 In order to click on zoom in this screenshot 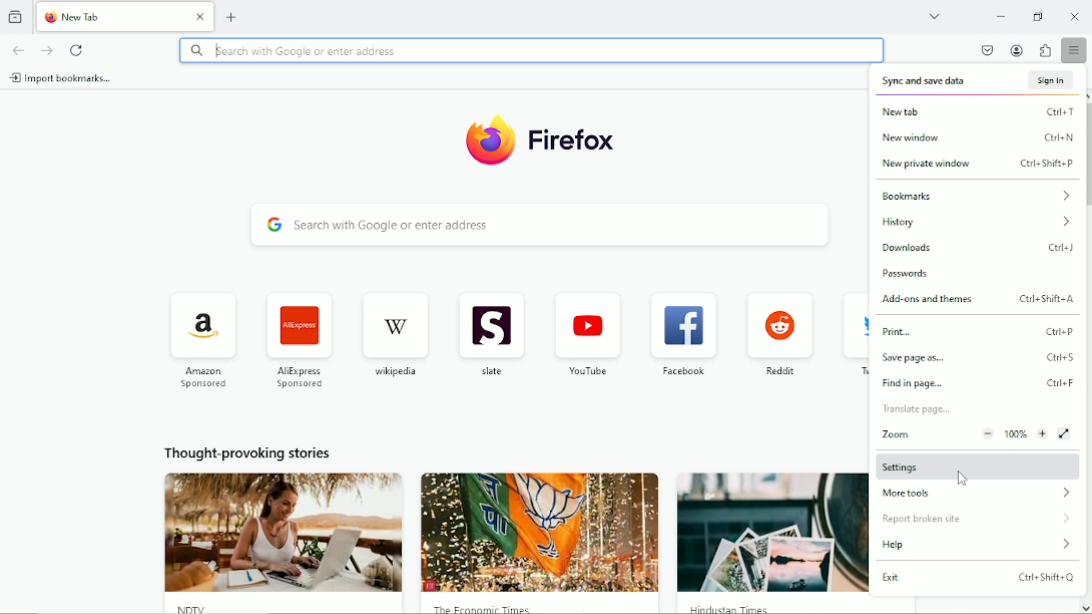, I will do `click(963, 434)`.